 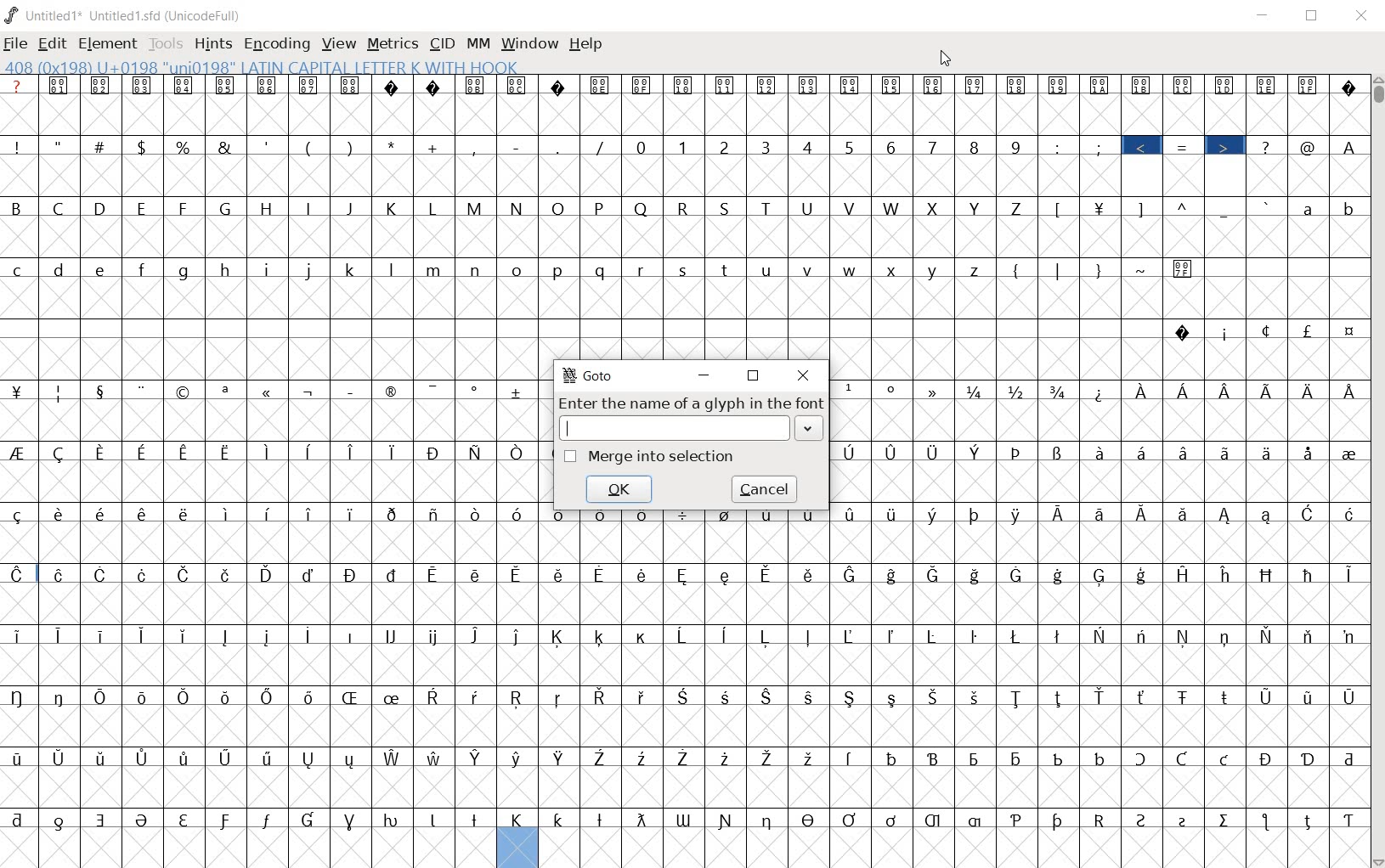 What do you see at coordinates (684, 727) in the screenshot?
I see `empty glyph slots` at bounding box center [684, 727].